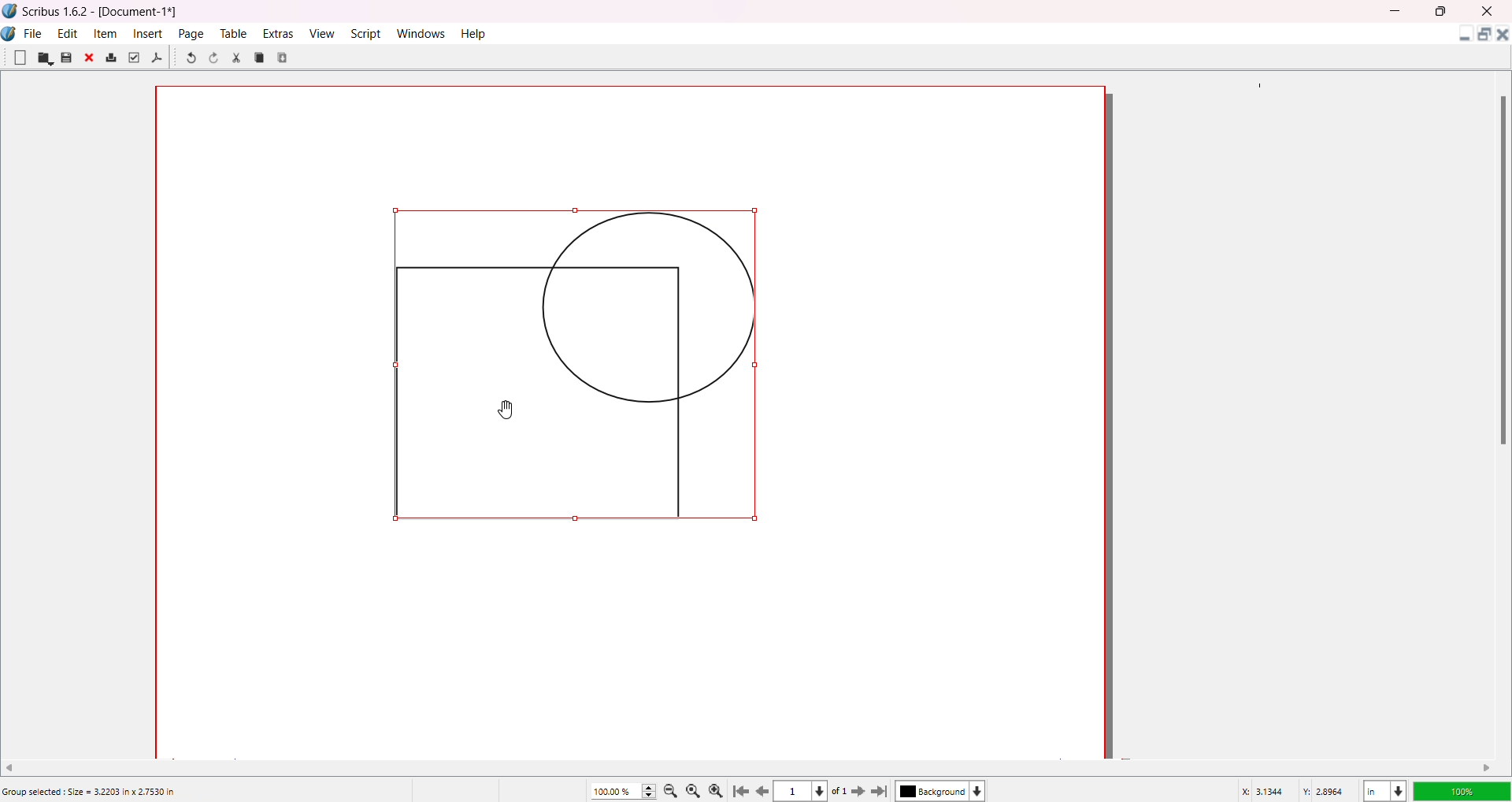 The width and height of the screenshot is (1512, 802). What do you see at coordinates (696, 789) in the screenshot?
I see `Zoom to 100` at bounding box center [696, 789].